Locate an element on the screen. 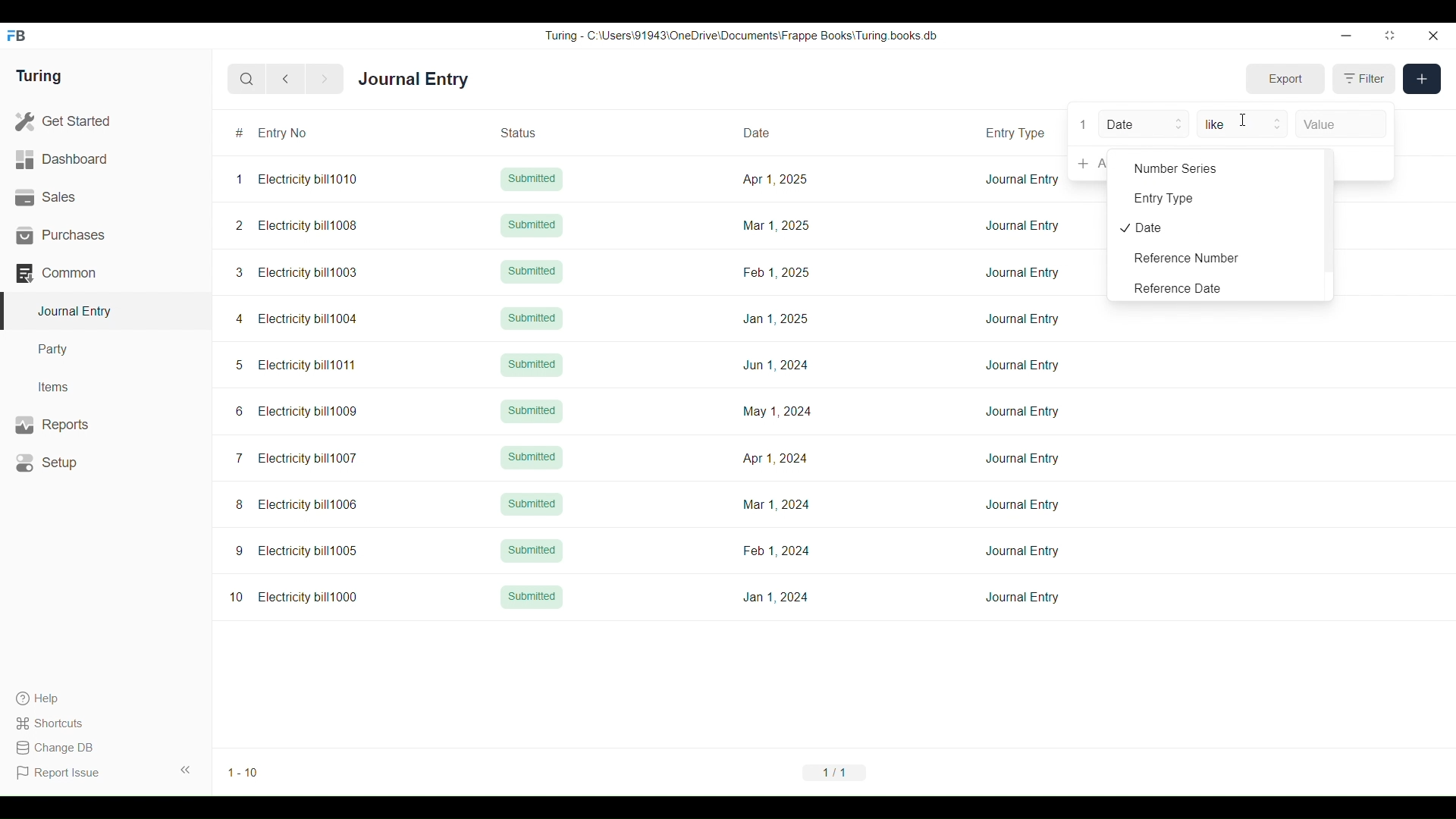 The width and height of the screenshot is (1456, 819). Submitted is located at coordinates (532, 550).